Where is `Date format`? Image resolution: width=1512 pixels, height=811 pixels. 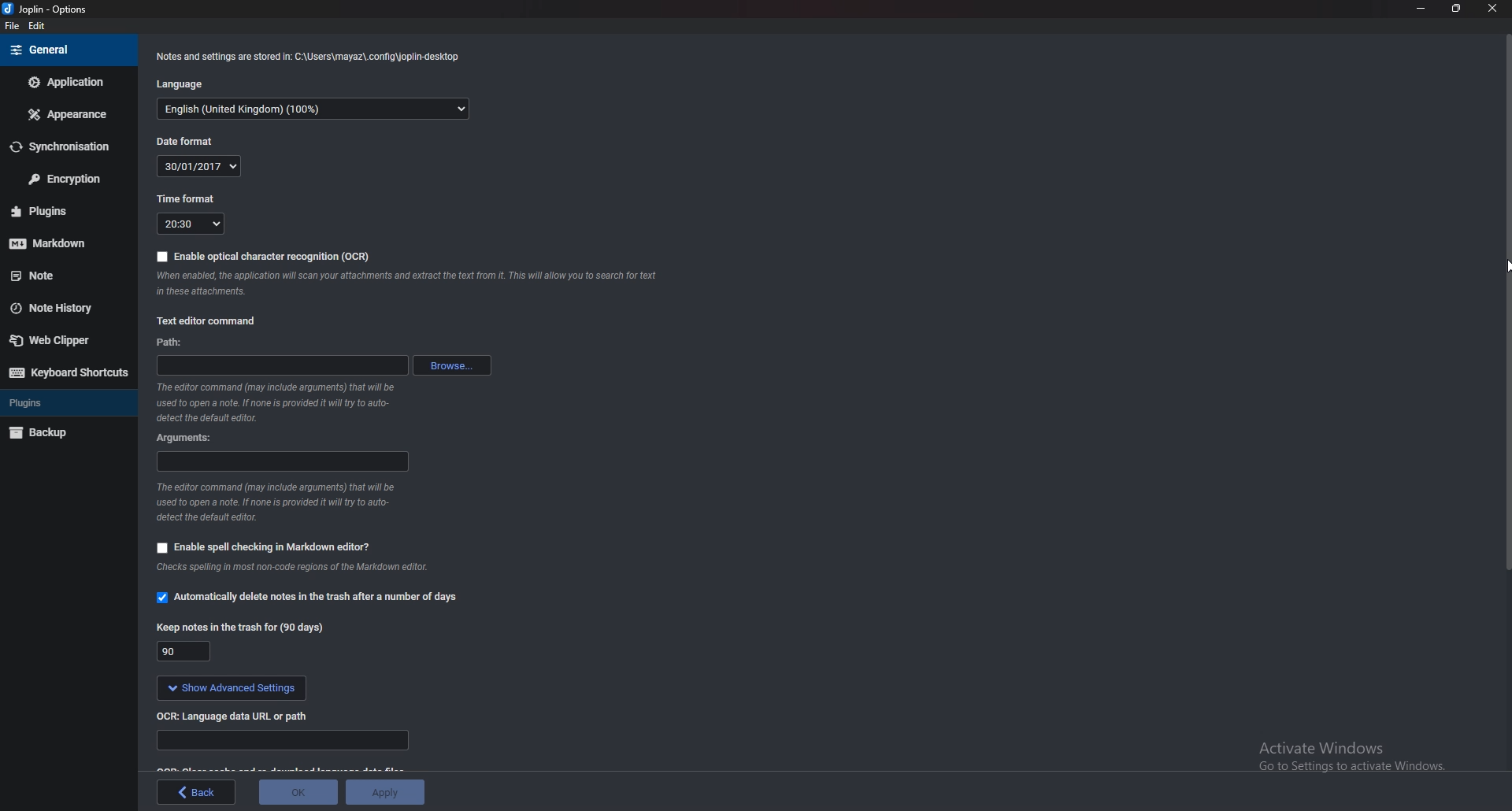
Date format is located at coordinates (191, 143).